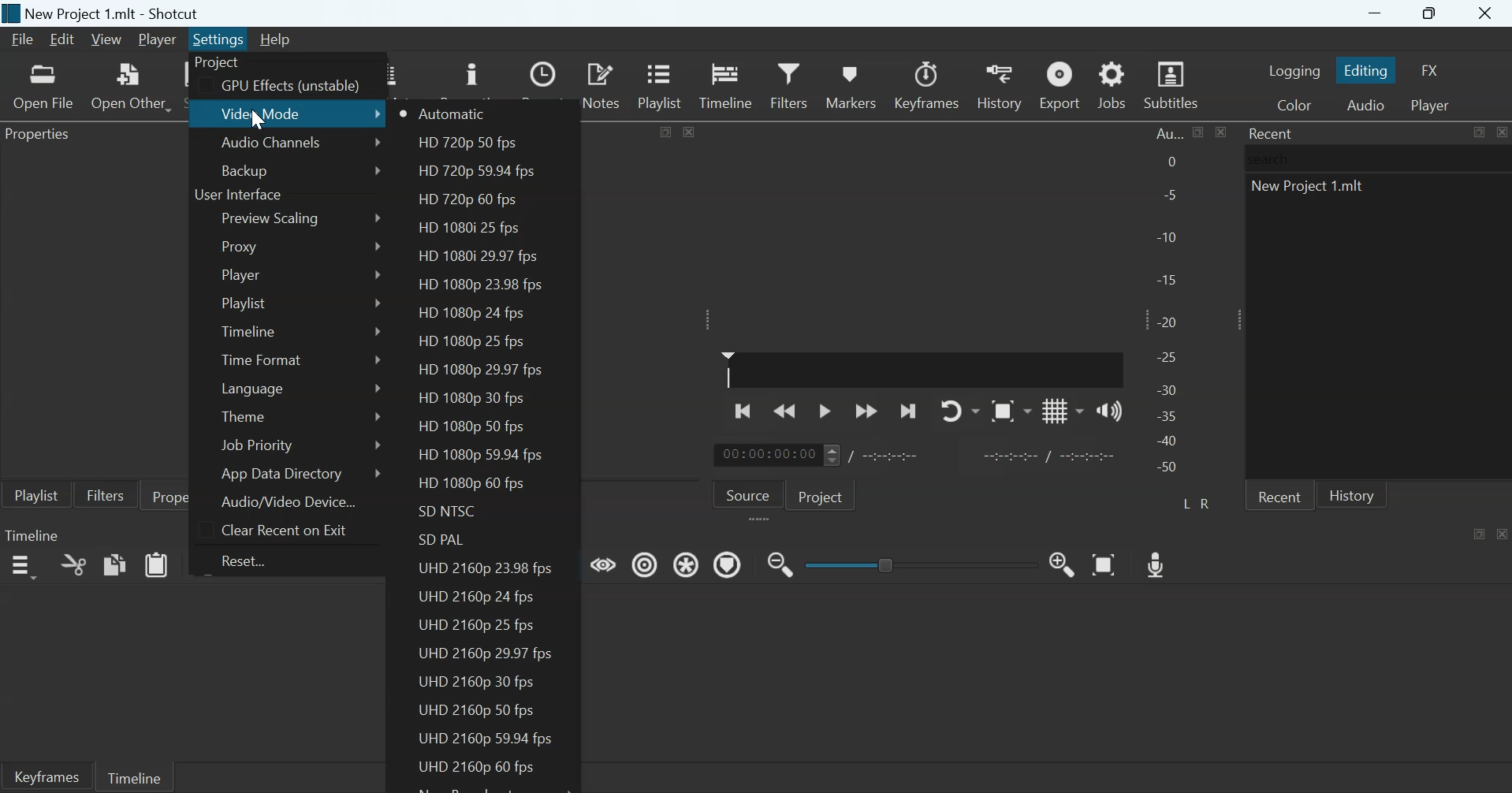 This screenshot has width=1512, height=793. What do you see at coordinates (1220, 132) in the screenshot?
I see `close` at bounding box center [1220, 132].